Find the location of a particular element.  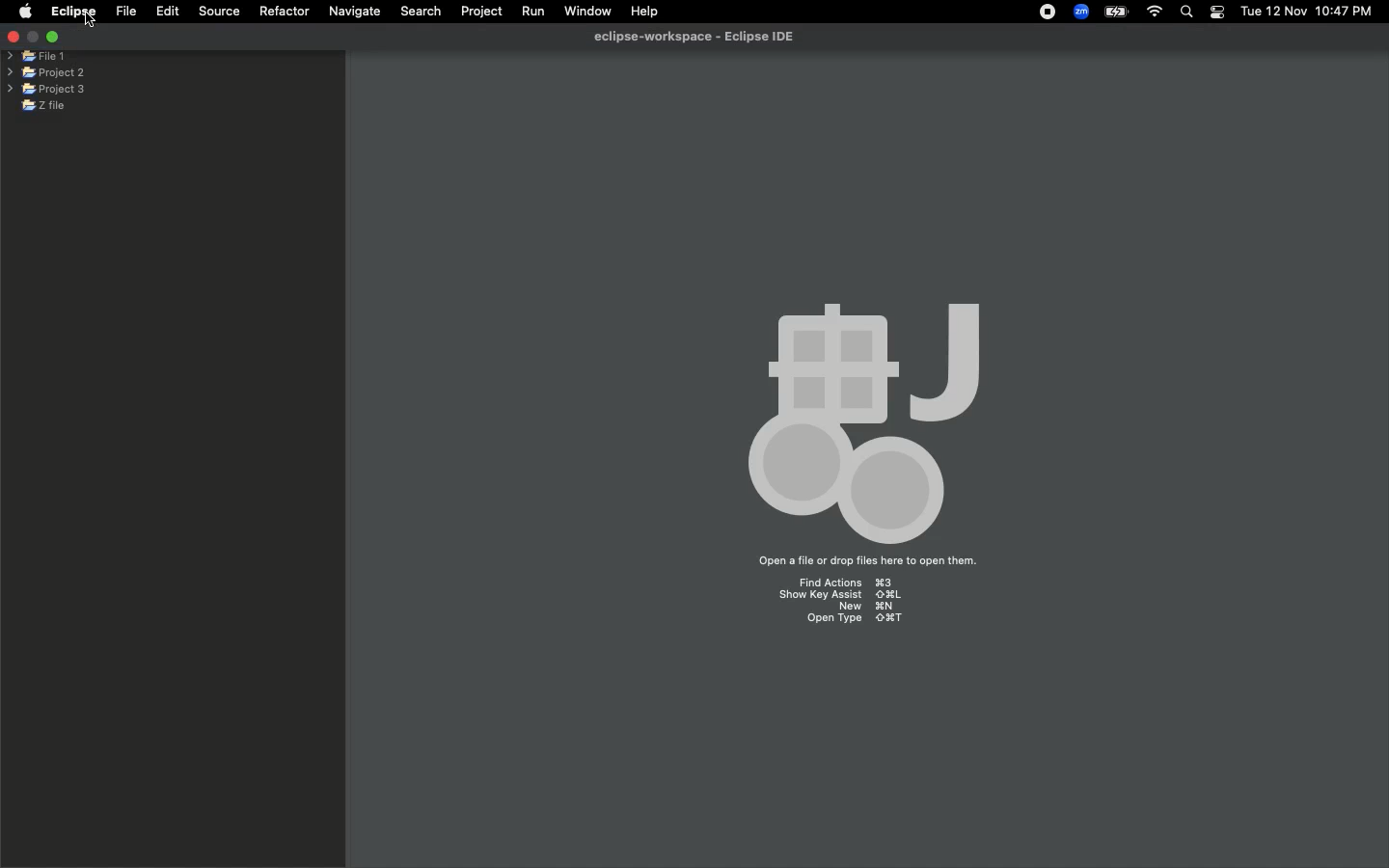

Navigate is located at coordinates (356, 11).